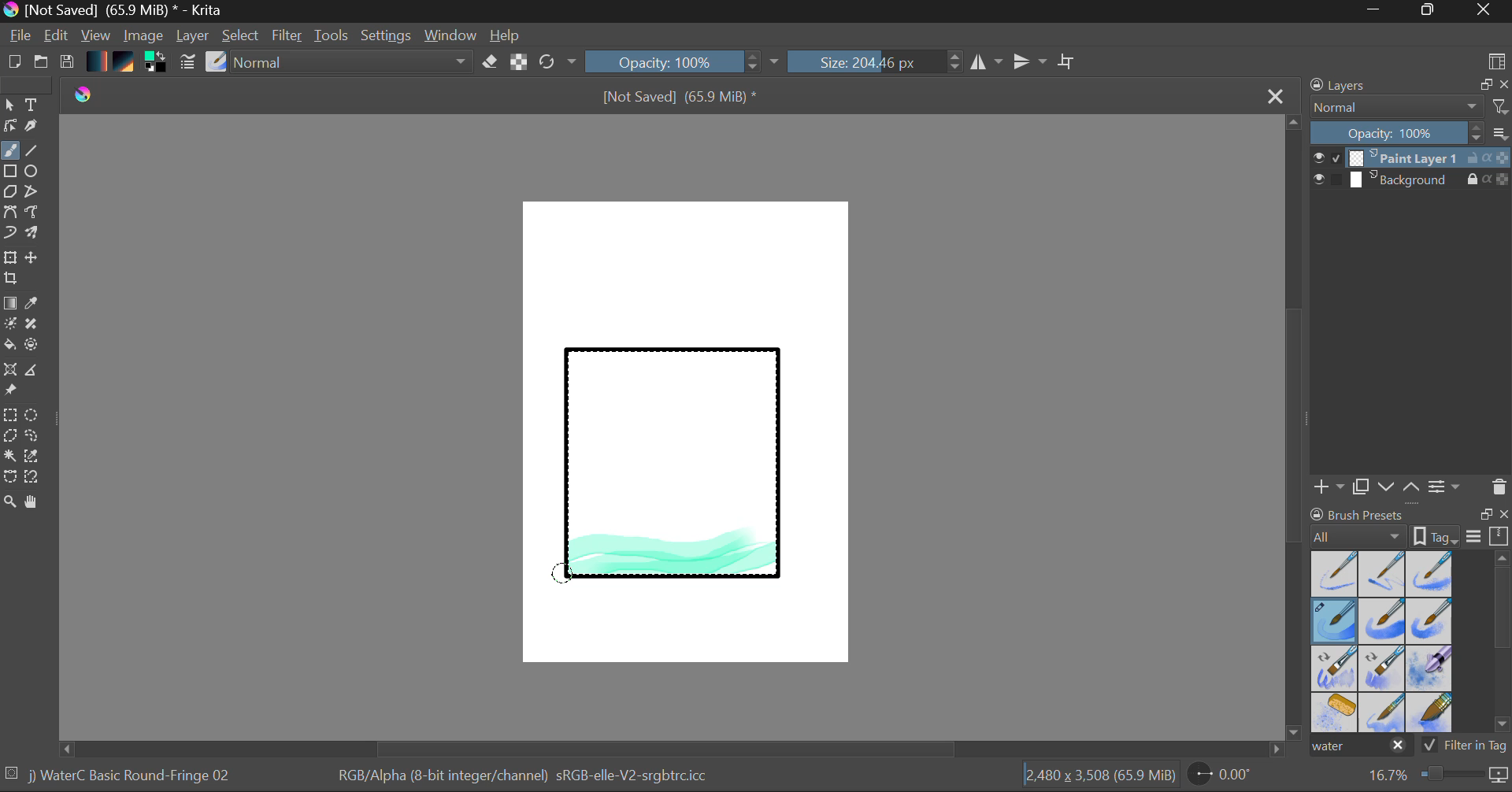 The width and height of the screenshot is (1512, 792). What do you see at coordinates (986, 62) in the screenshot?
I see `Vertical Mirror Flip` at bounding box center [986, 62].